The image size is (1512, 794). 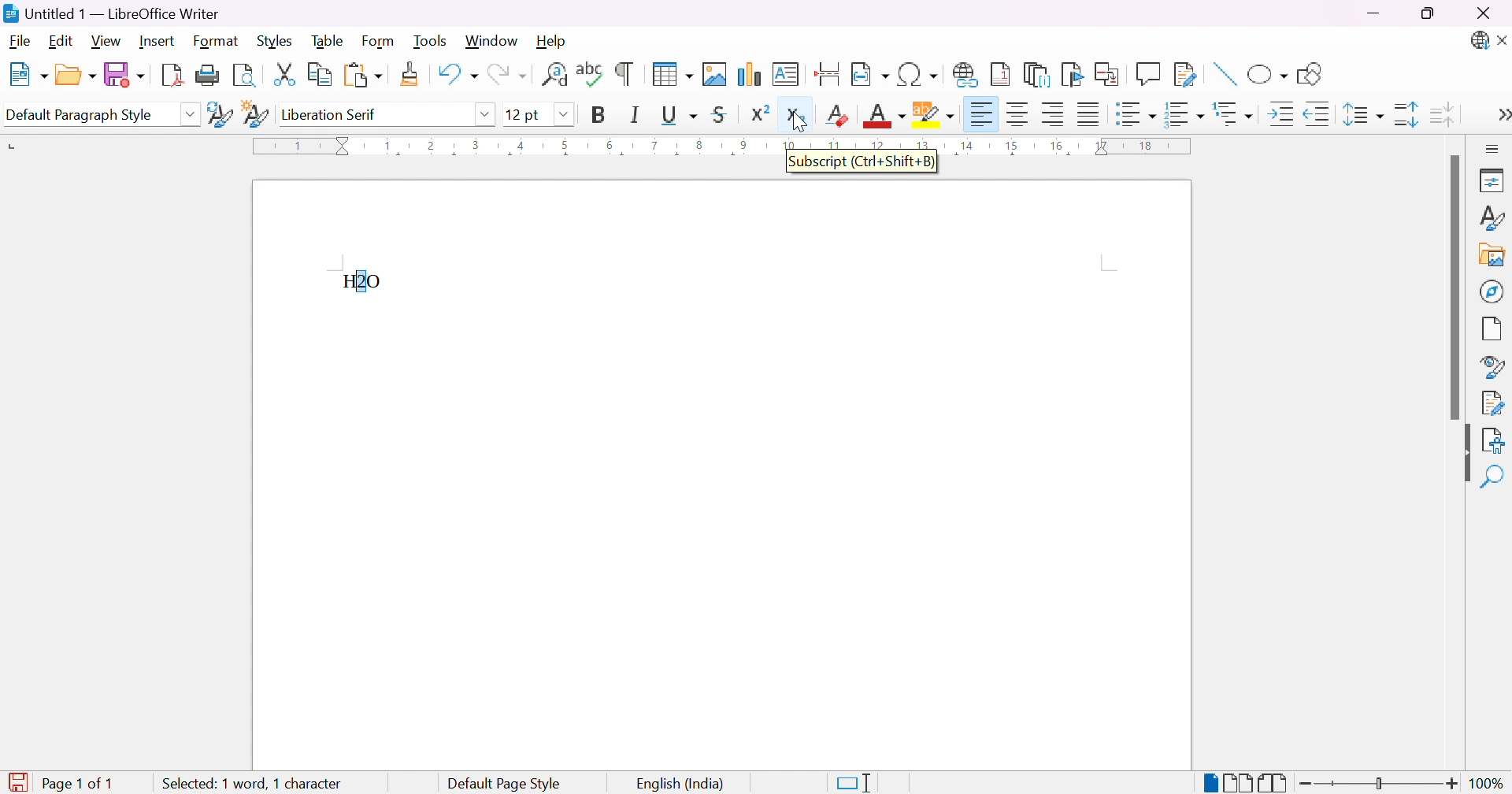 What do you see at coordinates (362, 76) in the screenshot?
I see `Paste` at bounding box center [362, 76].